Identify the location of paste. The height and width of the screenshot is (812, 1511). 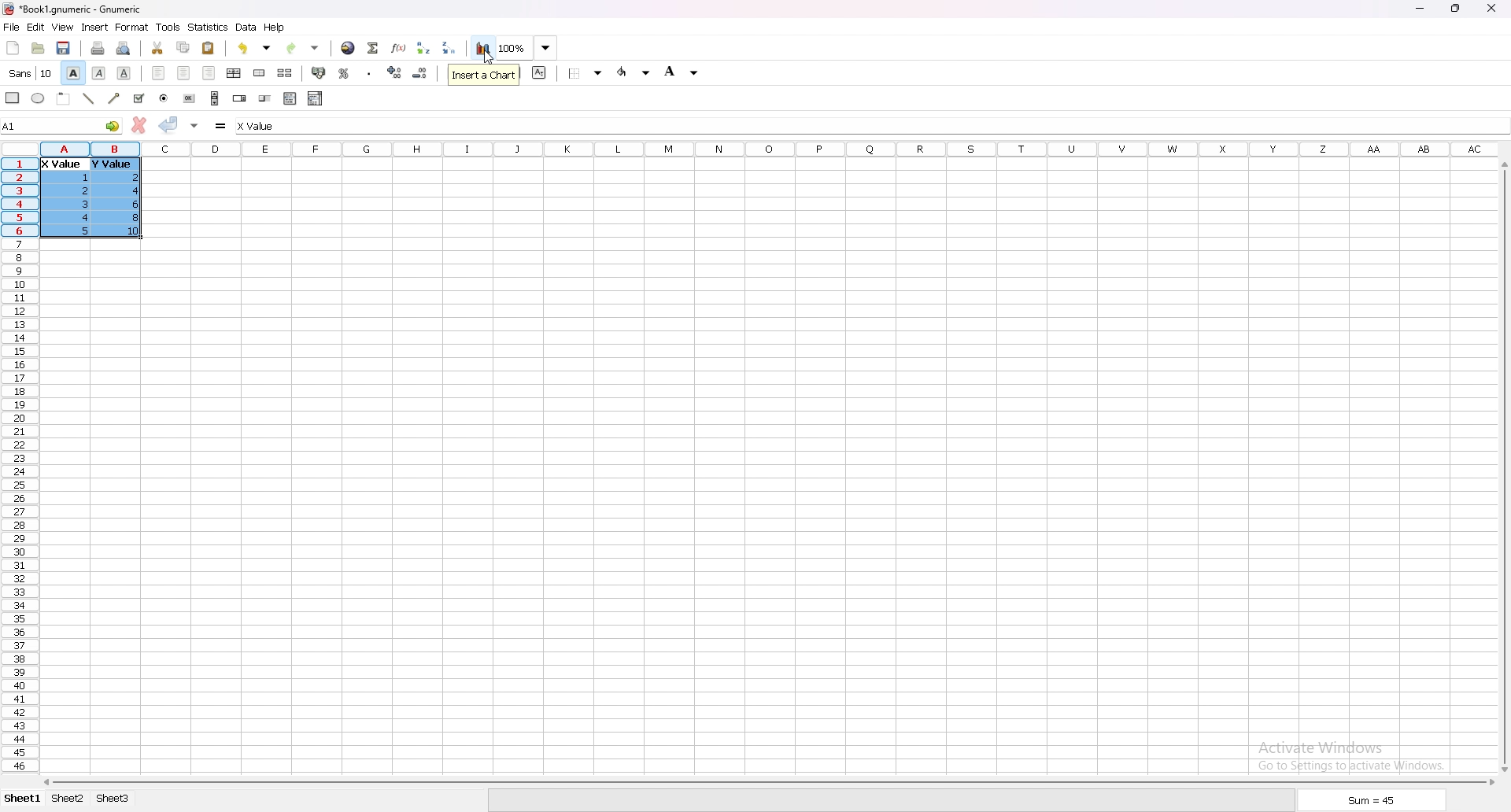
(209, 47).